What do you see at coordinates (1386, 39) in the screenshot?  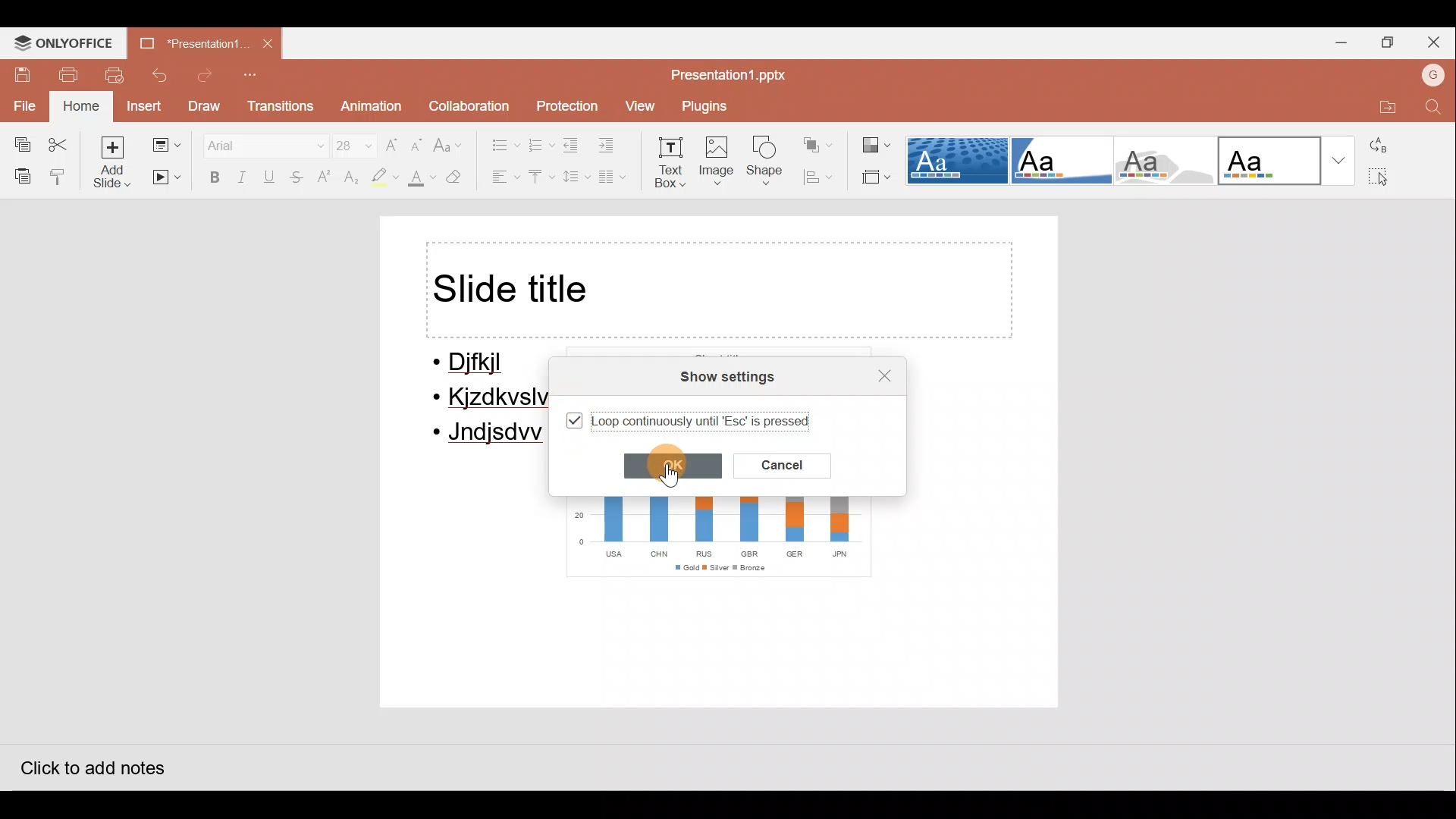 I see `Maximize` at bounding box center [1386, 39].